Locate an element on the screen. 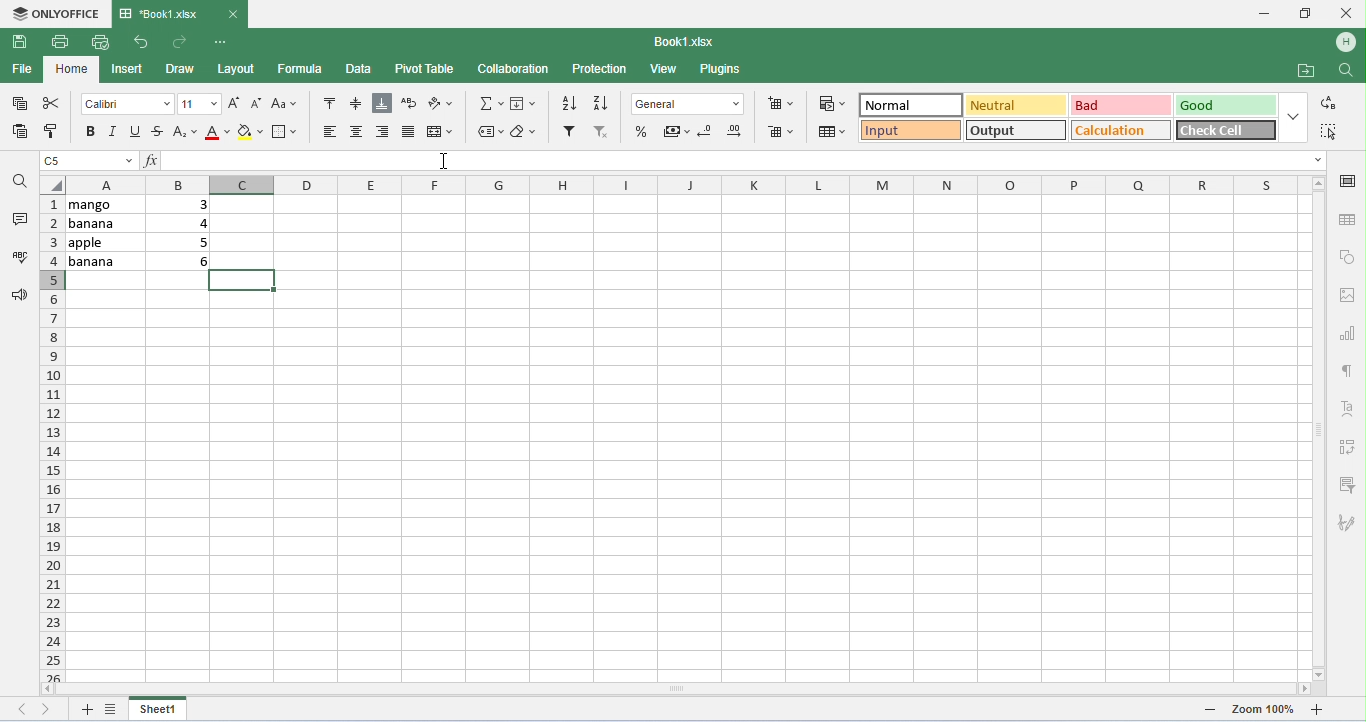 The height and width of the screenshot is (722, 1366). comments is located at coordinates (23, 218).